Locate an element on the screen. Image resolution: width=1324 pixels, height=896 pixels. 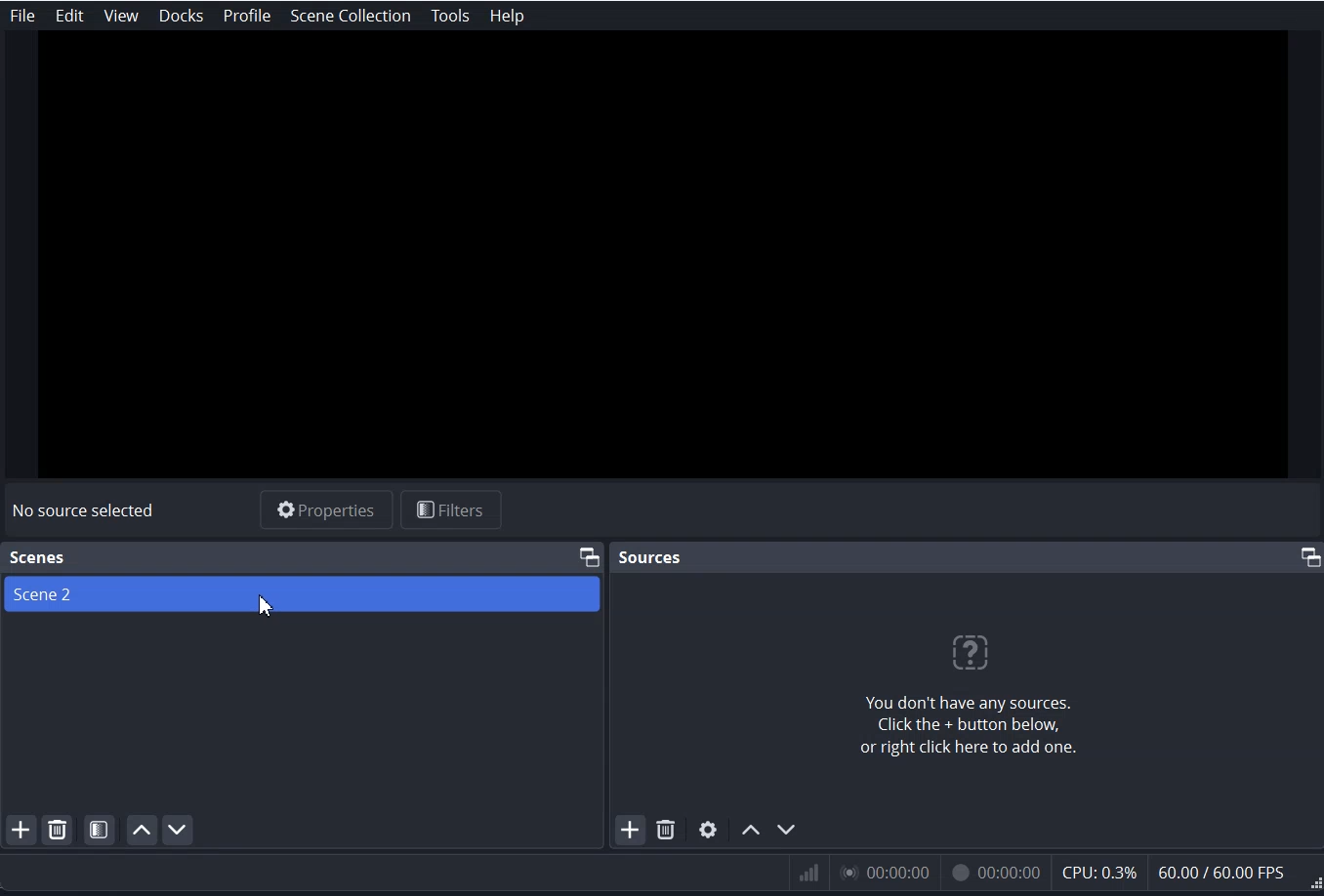
Properties is located at coordinates (325, 509).